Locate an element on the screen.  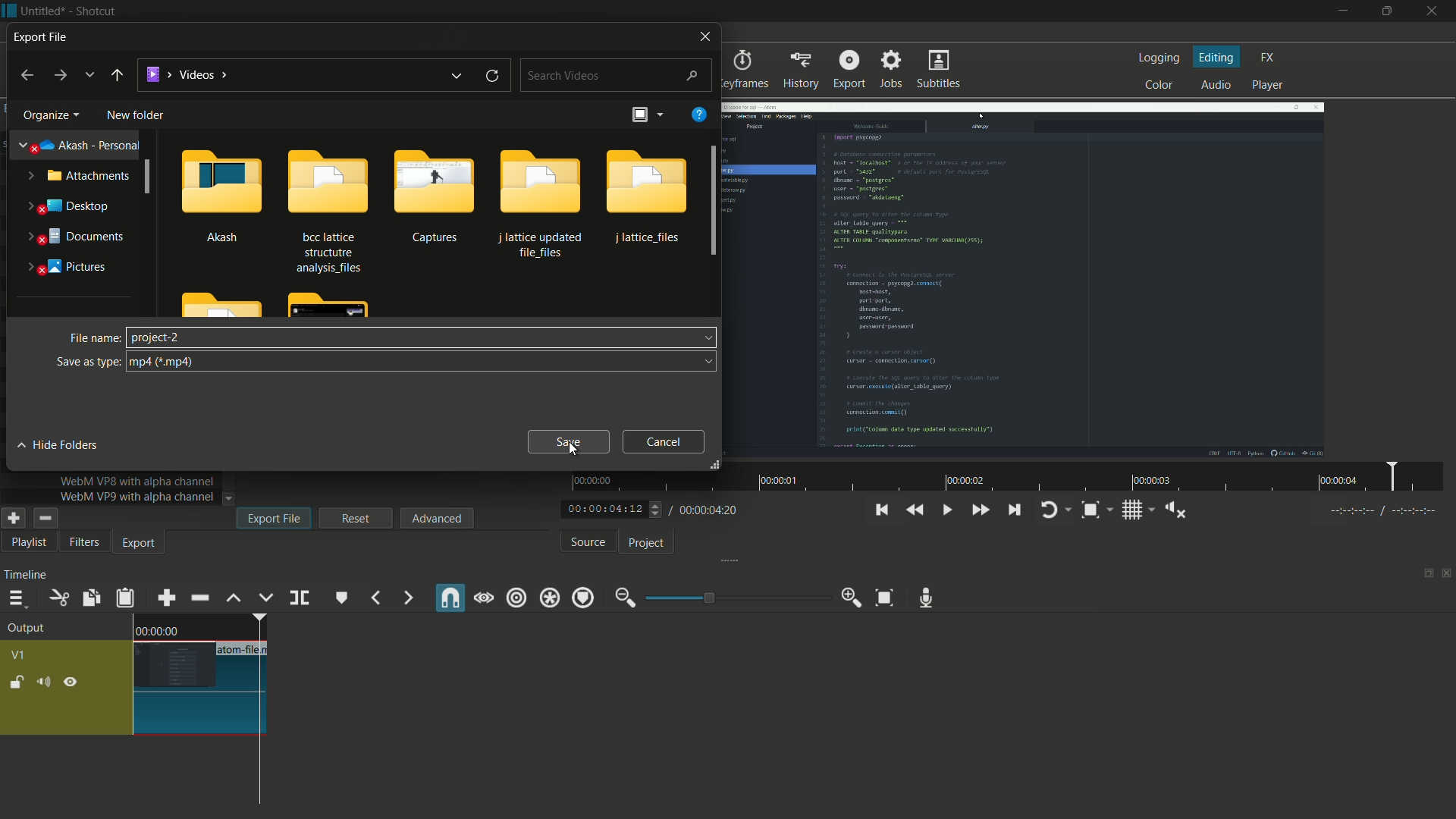
toggle zoom is located at coordinates (1090, 510).